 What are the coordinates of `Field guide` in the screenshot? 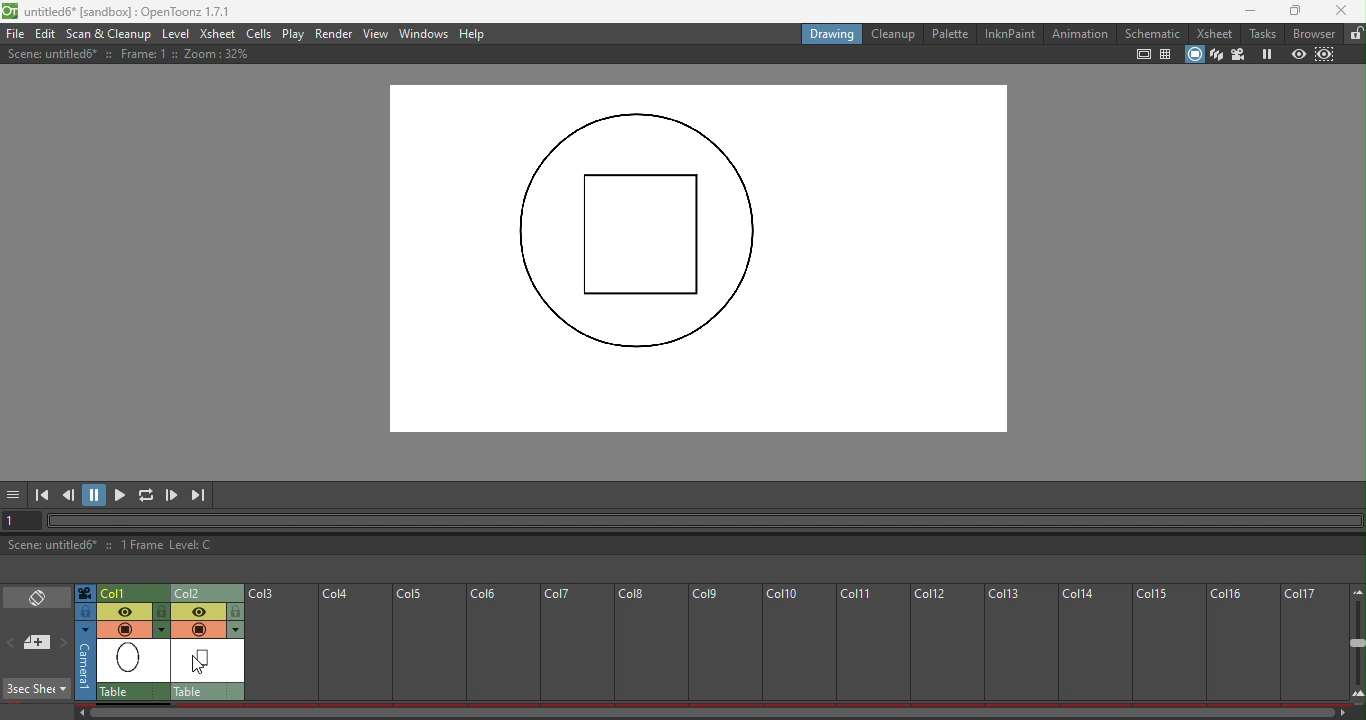 It's located at (1166, 56).